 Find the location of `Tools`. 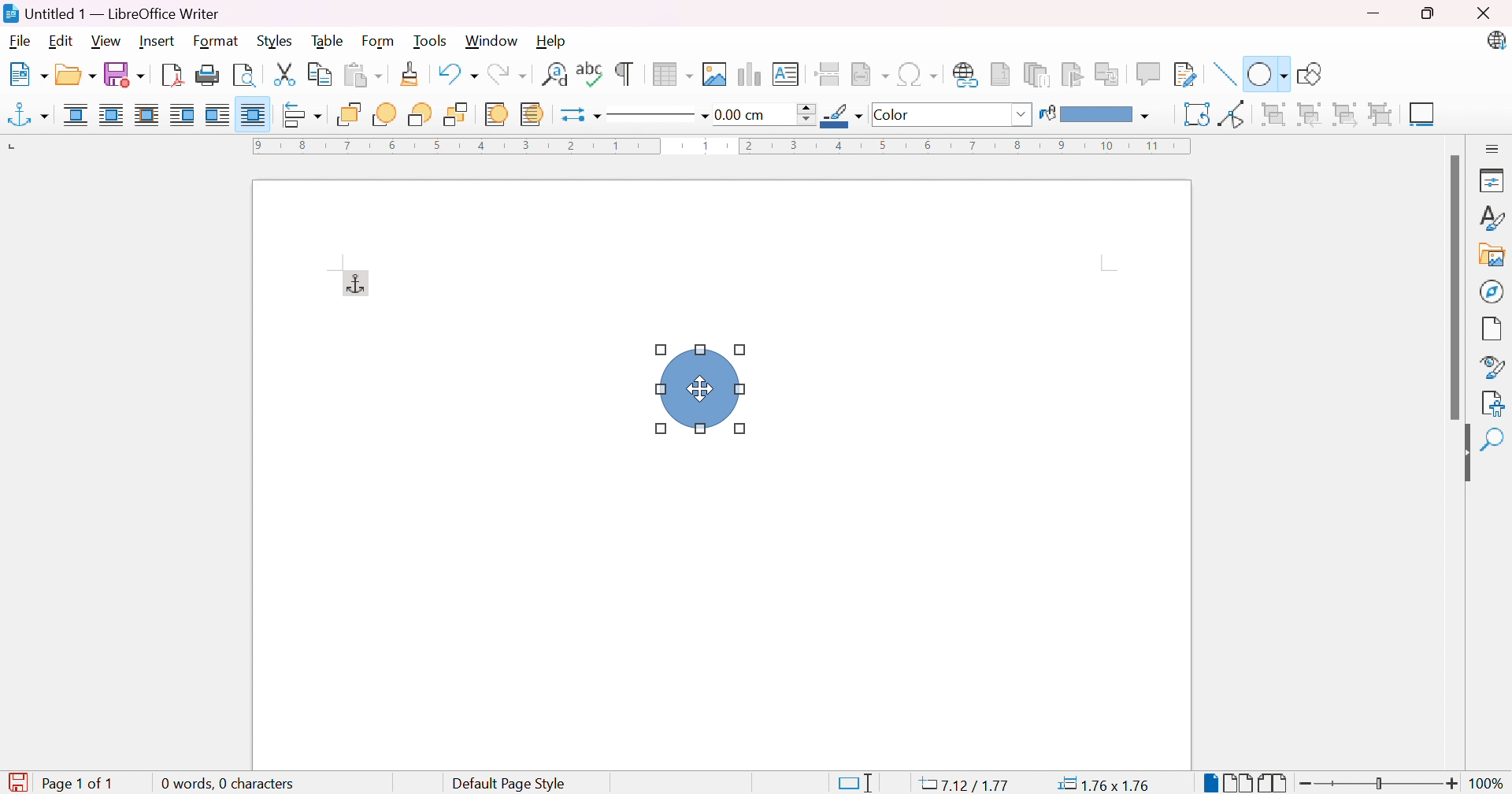

Tools is located at coordinates (432, 42).